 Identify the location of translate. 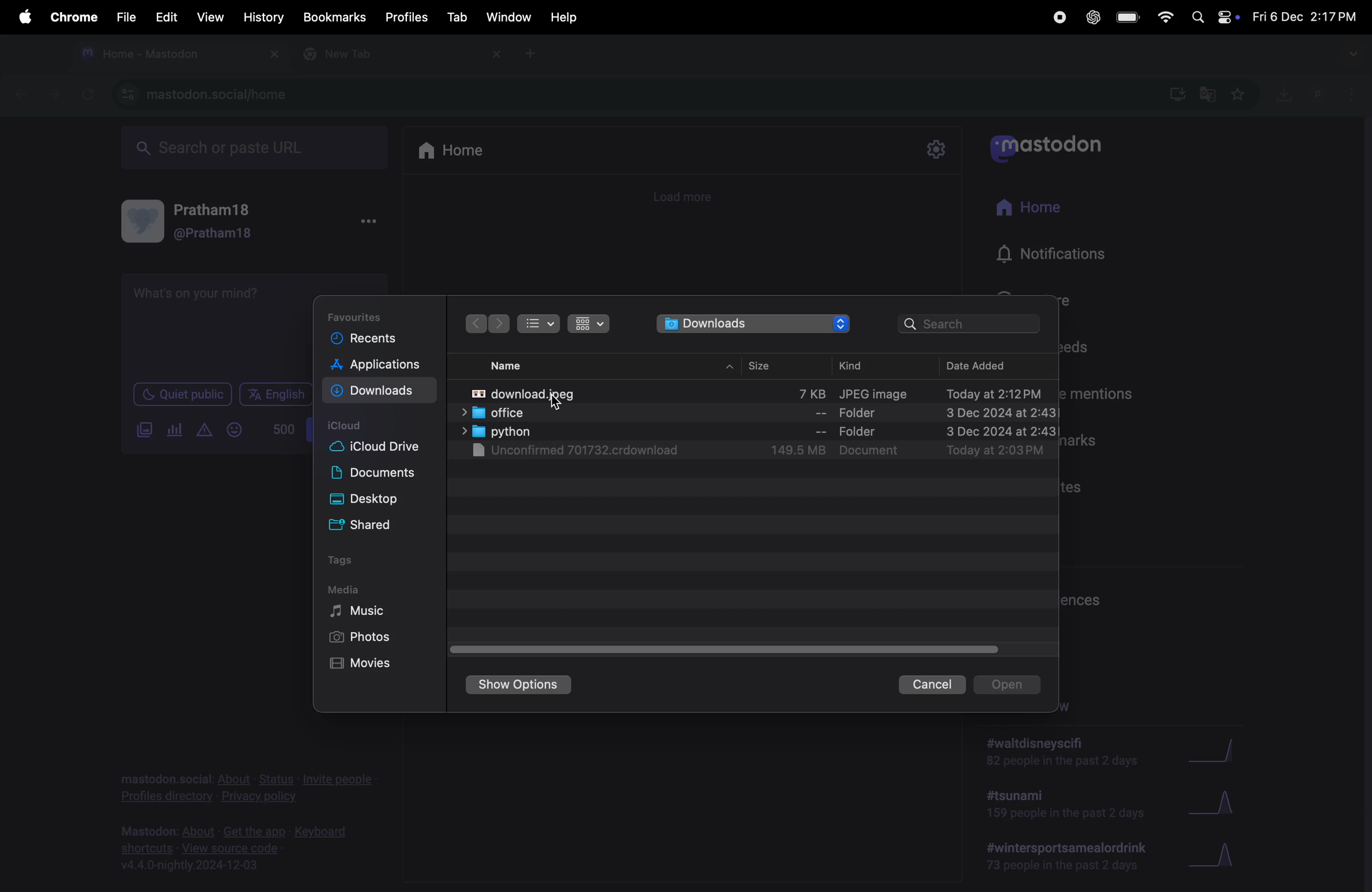
(1211, 96).